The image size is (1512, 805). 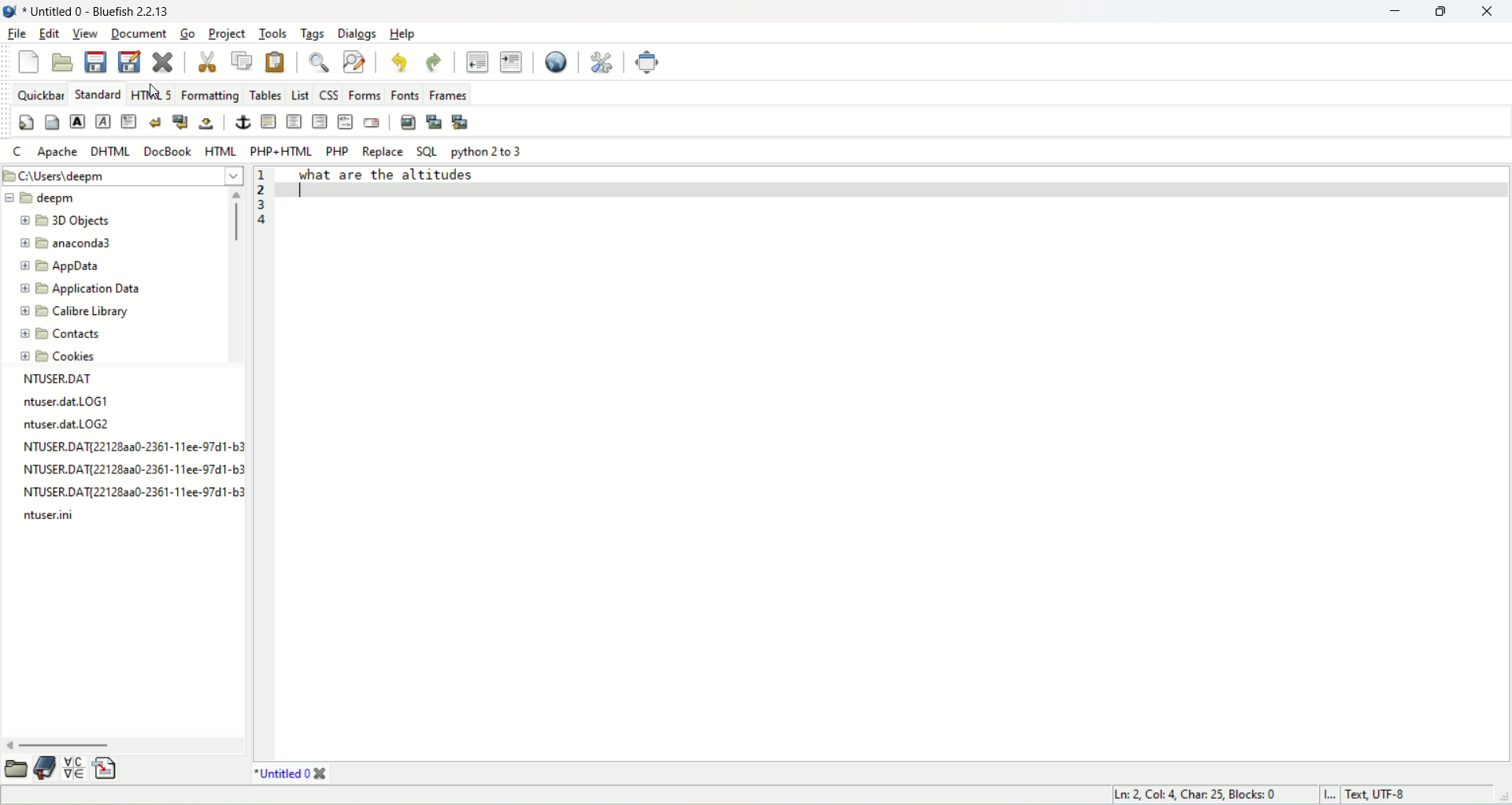 What do you see at coordinates (109, 768) in the screenshot?
I see `insert file` at bounding box center [109, 768].